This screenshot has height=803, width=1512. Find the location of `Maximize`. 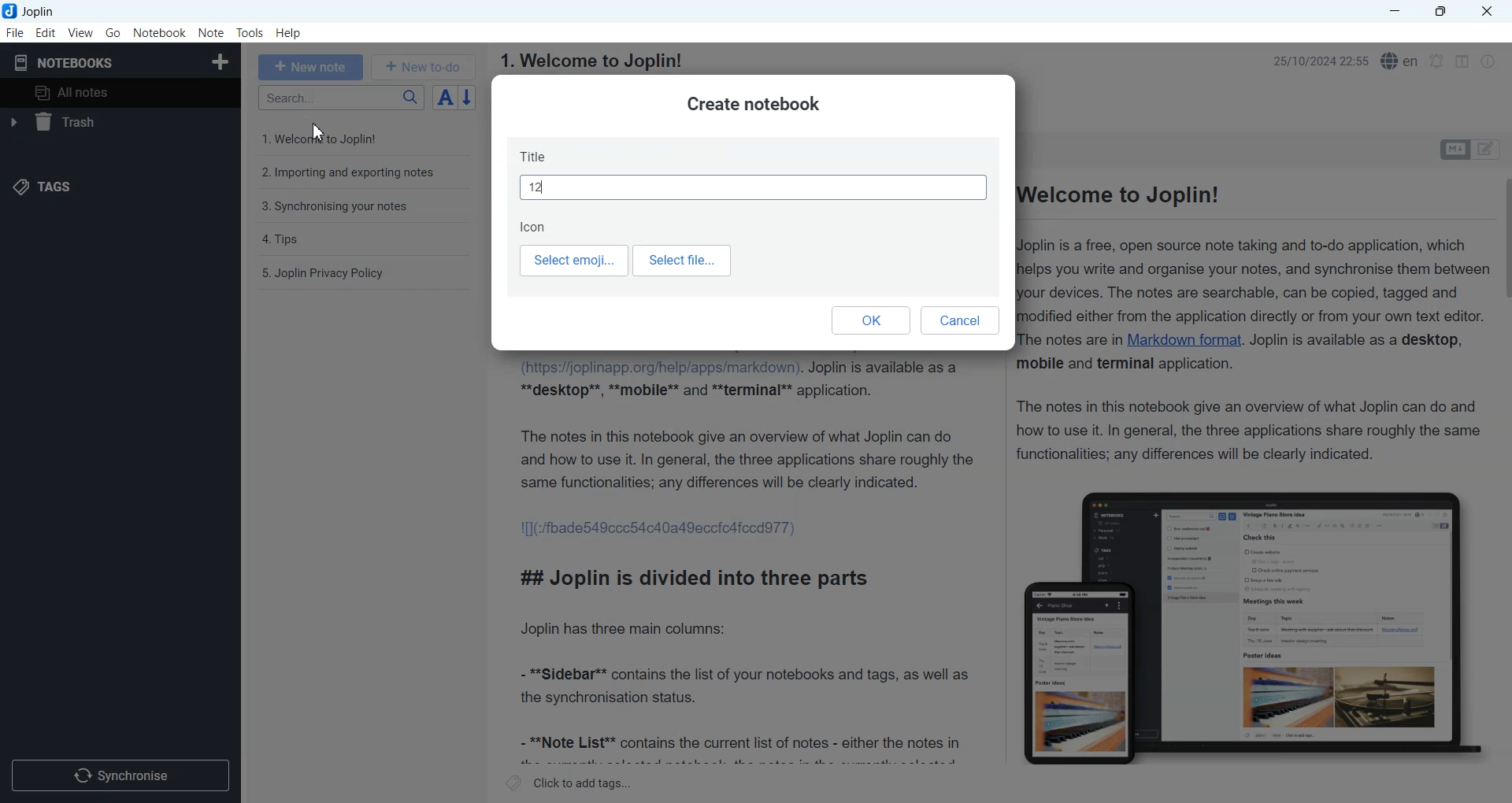

Maximize is located at coordinates (1443, 12).